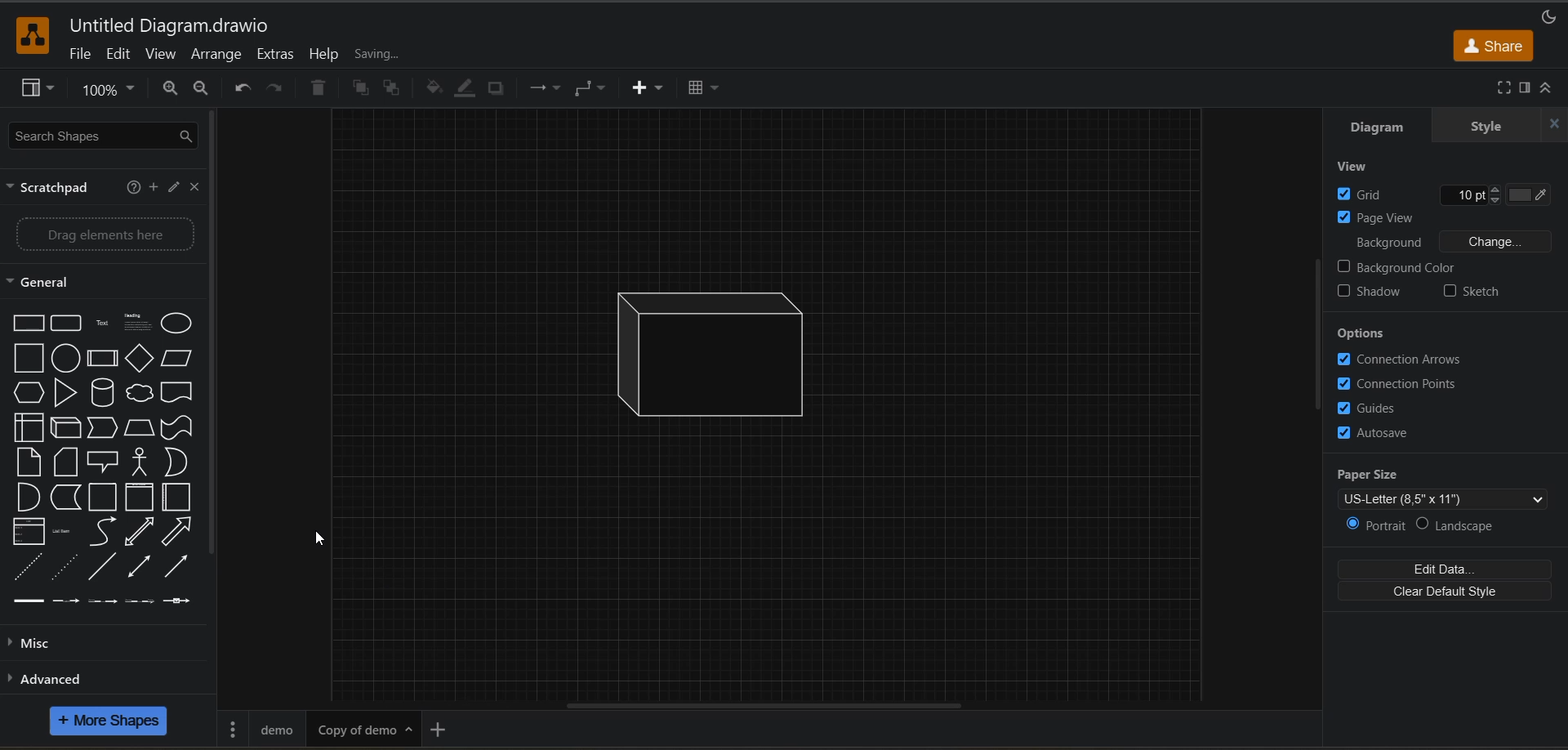 The height and width of the screenshot is (750, 1568). Describe the element at coordinates (764, 706) in the screenshot. I see `horizontal scroll bar` at that location.